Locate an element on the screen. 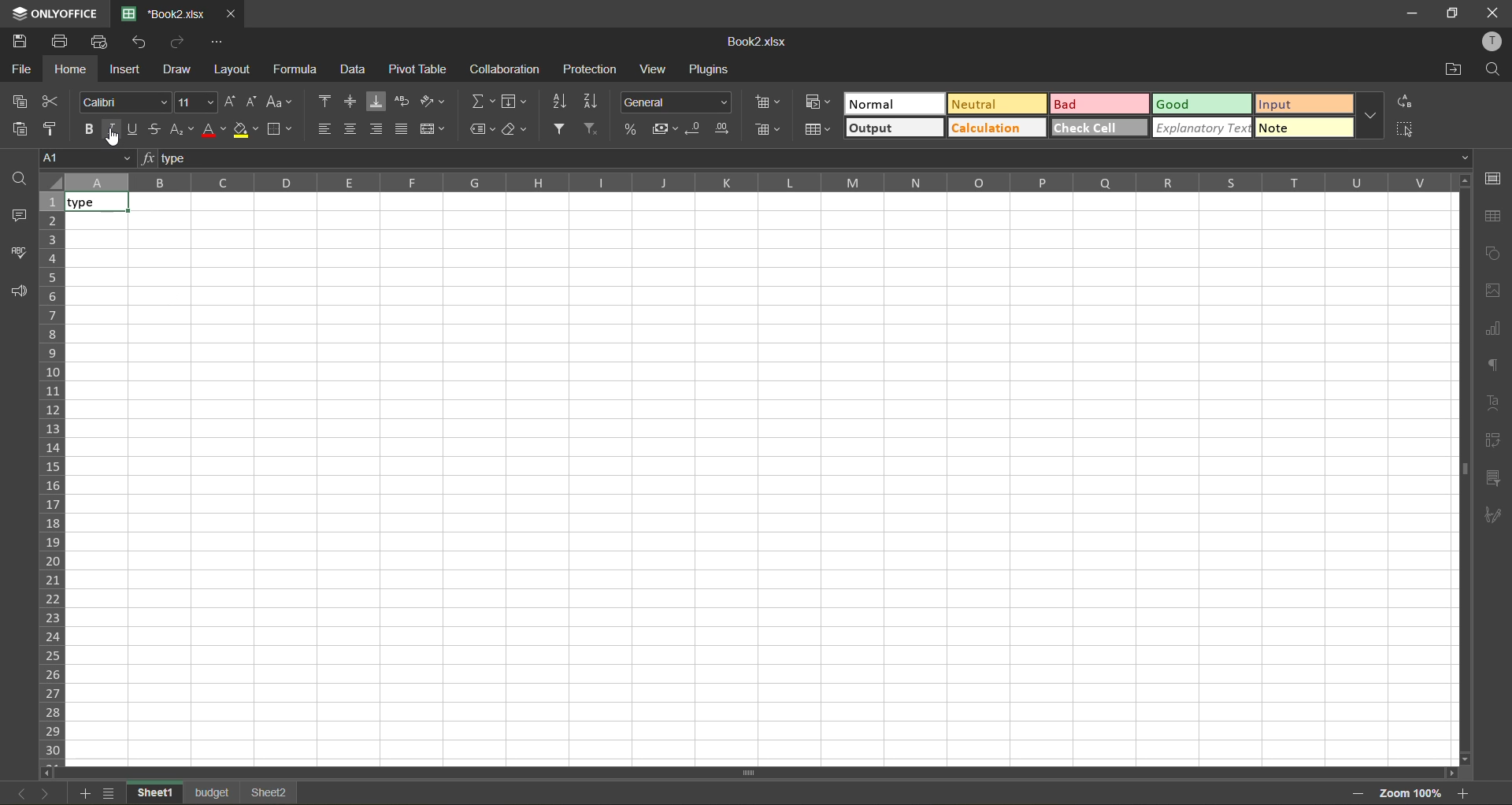 This screenshot has width=1512, height=805. normal is located at coordinates (892, 103).